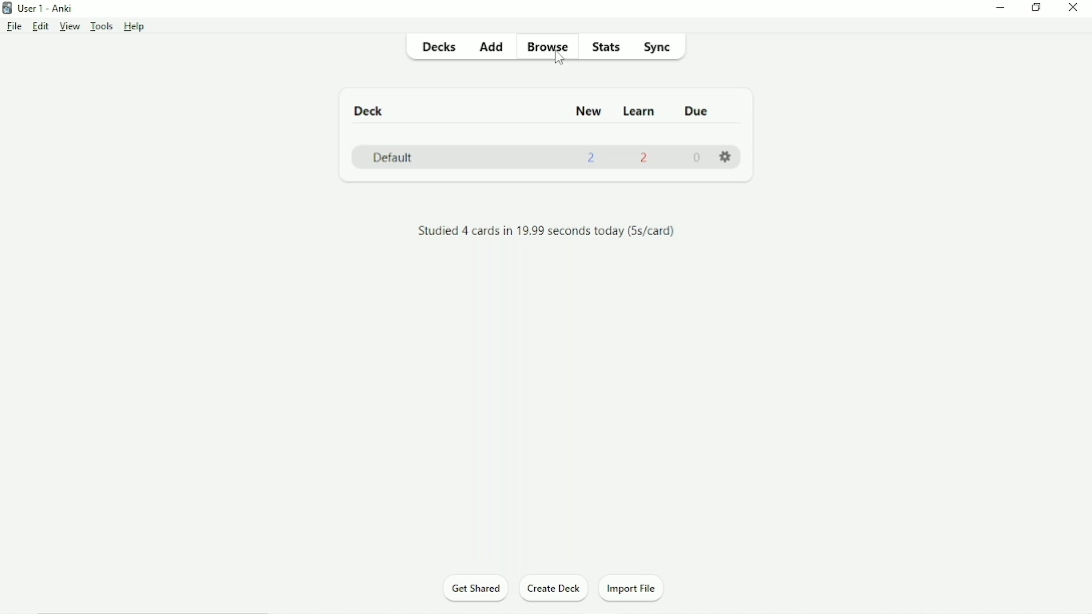 The width and height of the screenshot is (1092, 614). What do you see at coordinates (371, 109) in the screenshot?
I see `Deck` at bounding box center [371, 109].